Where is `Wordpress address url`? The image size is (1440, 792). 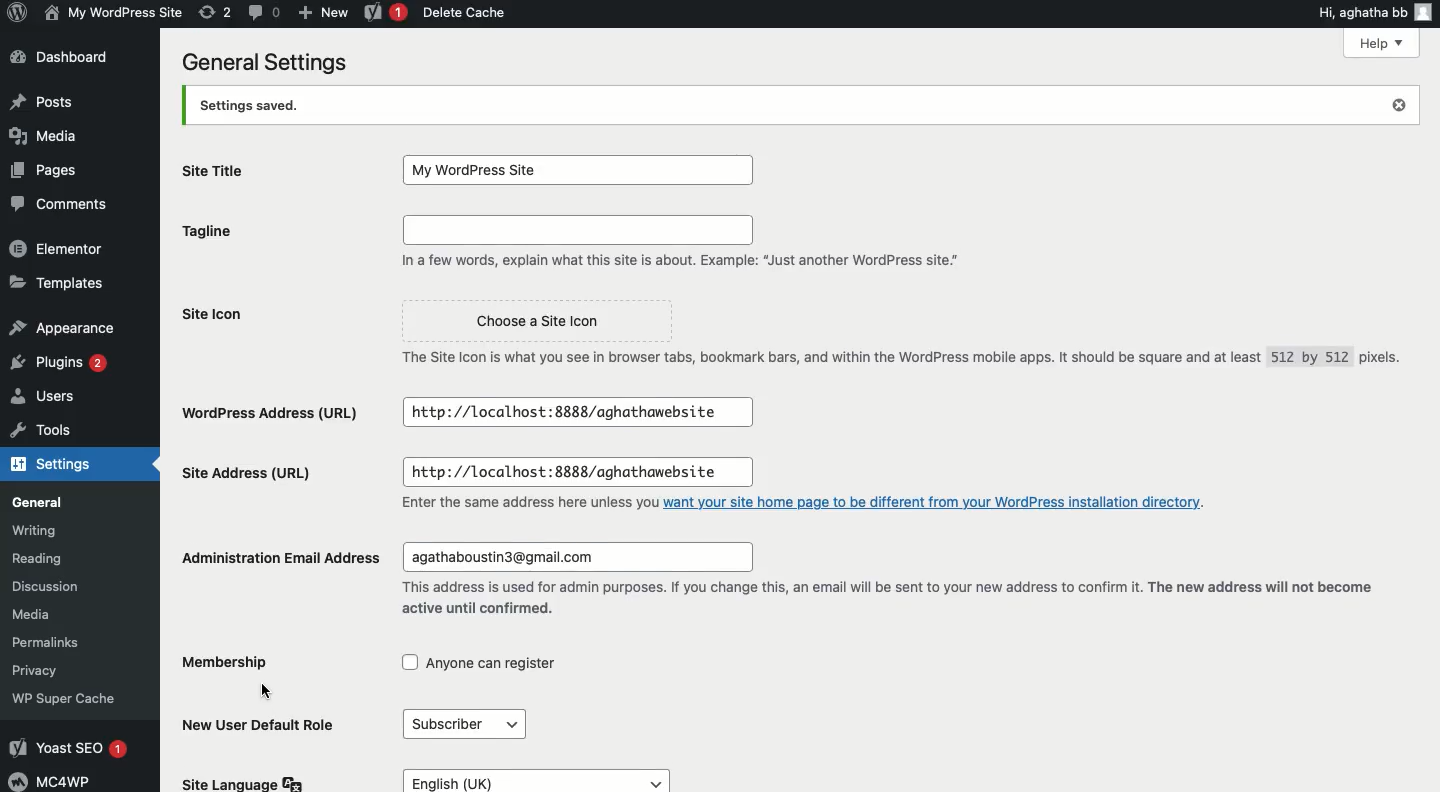
Wordpress address url is located at coordinates (269, 413).